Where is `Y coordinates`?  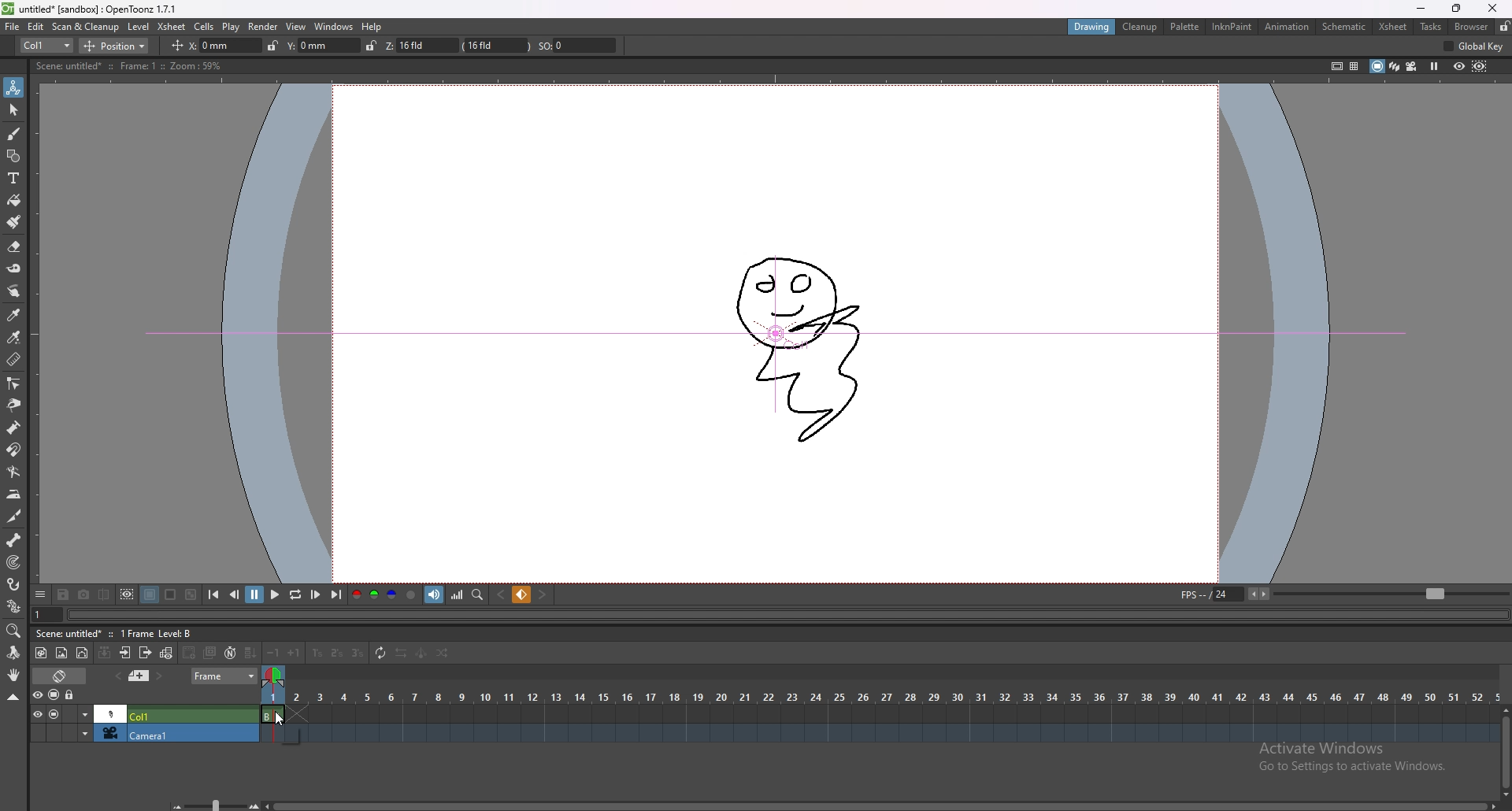
Y coordinates is located at coordinates (313, 45).